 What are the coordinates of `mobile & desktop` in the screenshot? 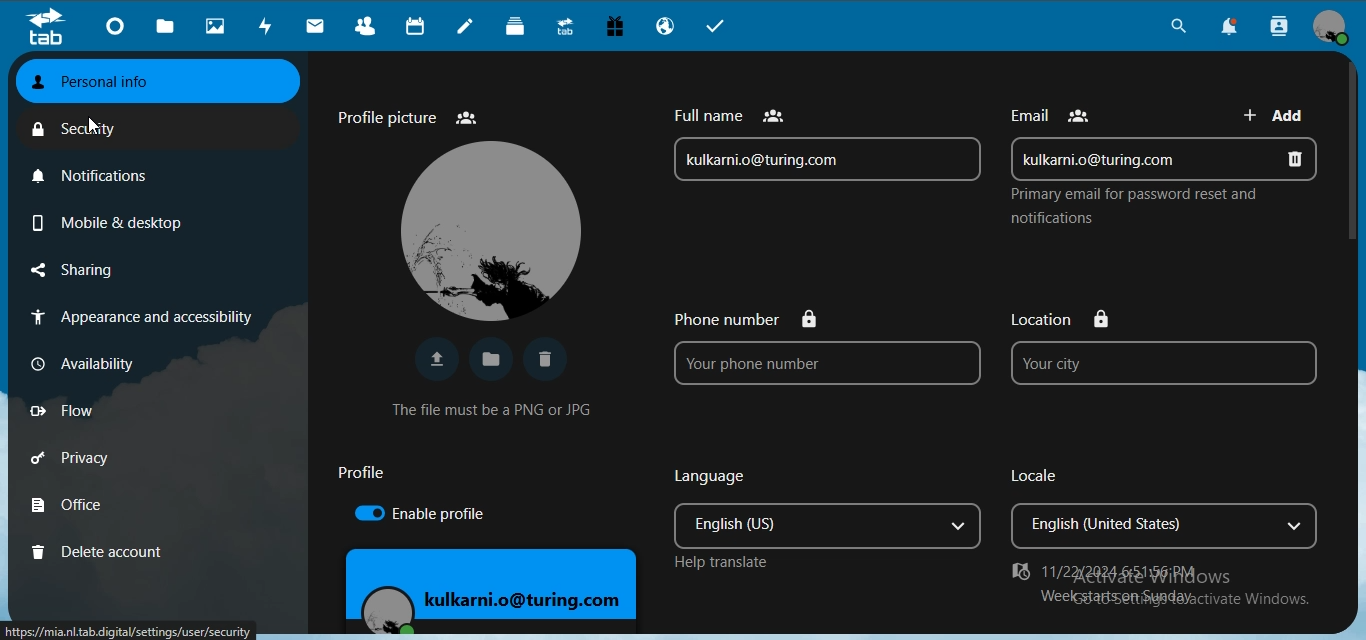 It's located at (104, 219).